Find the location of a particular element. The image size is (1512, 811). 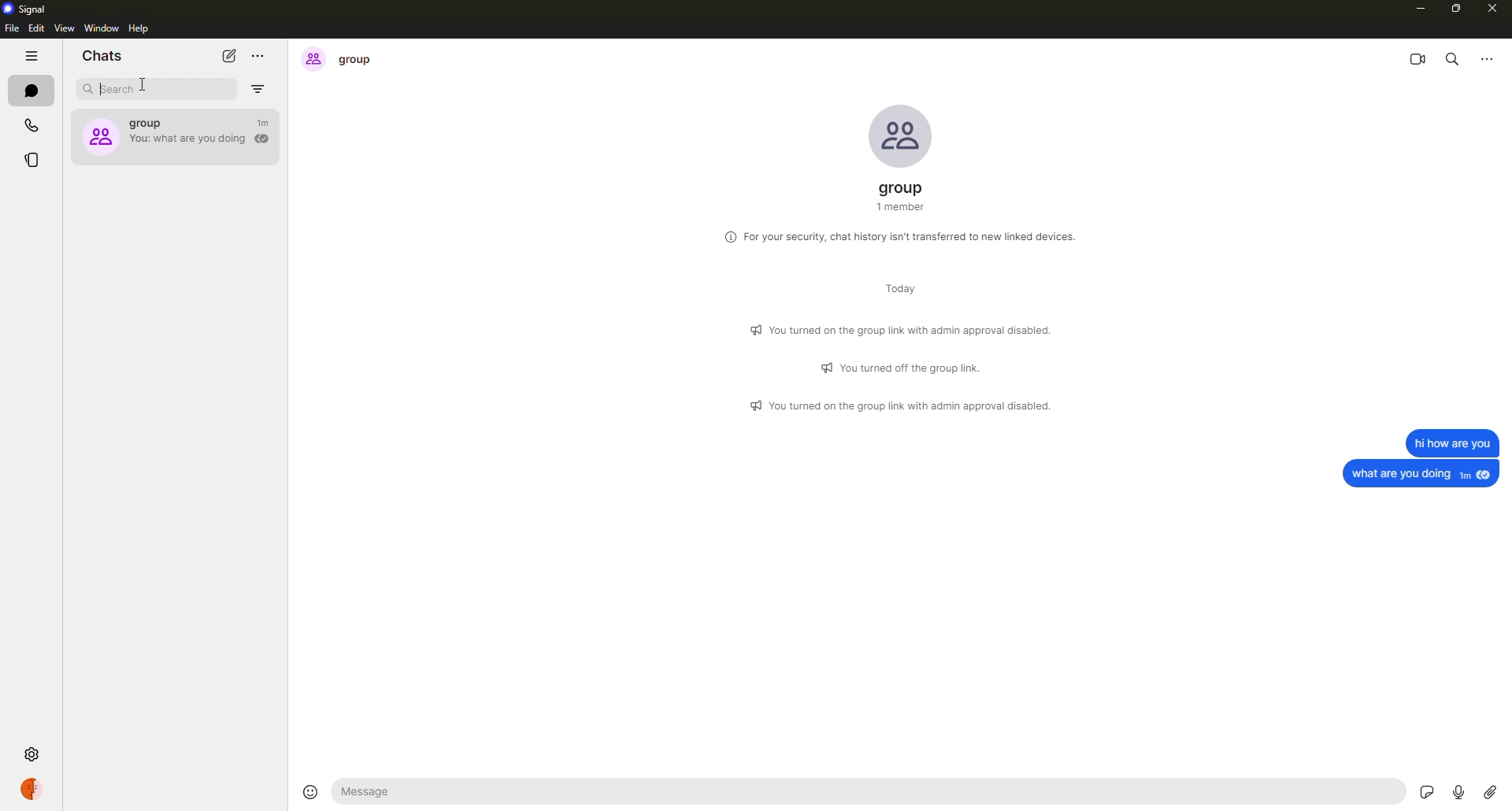

group is located at coordinates (176, 133).